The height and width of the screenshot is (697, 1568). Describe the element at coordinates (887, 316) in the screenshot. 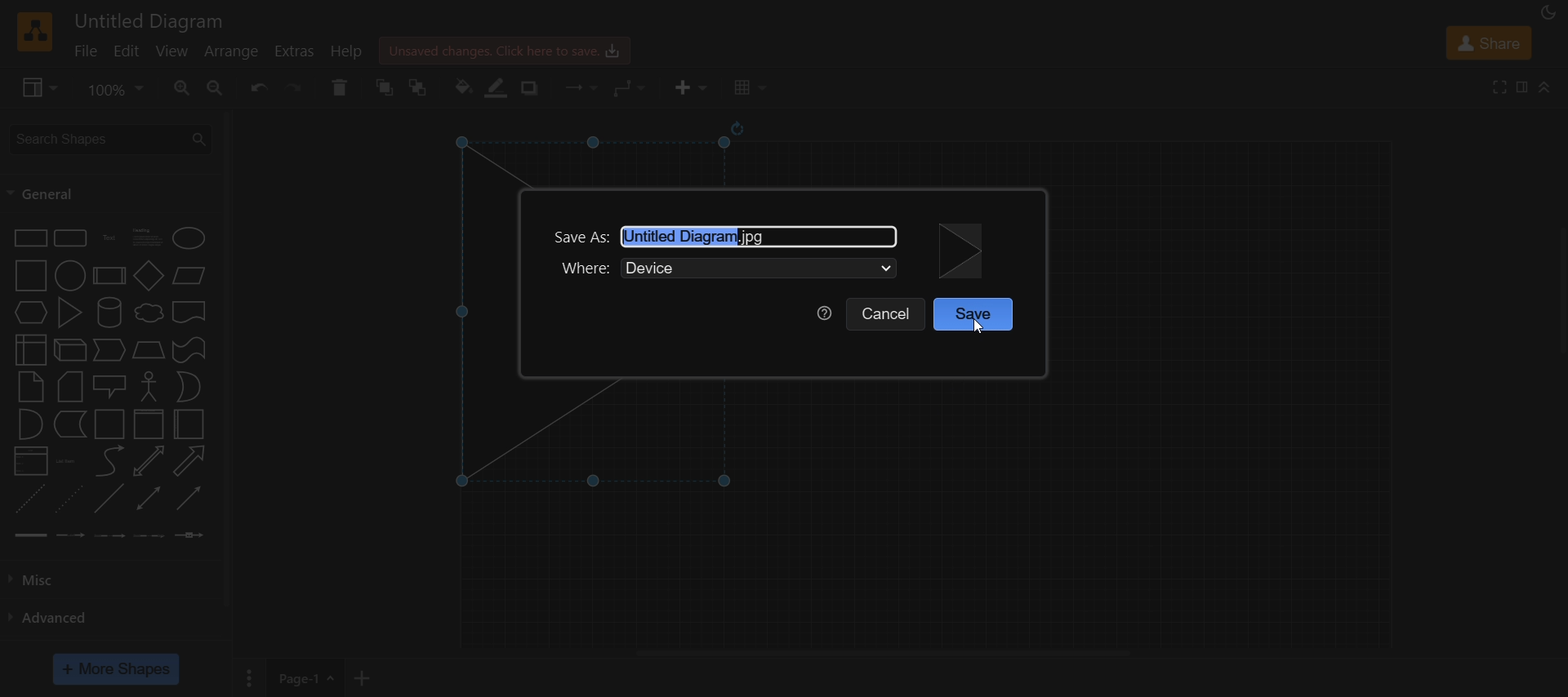

I see `cancel` at that location.